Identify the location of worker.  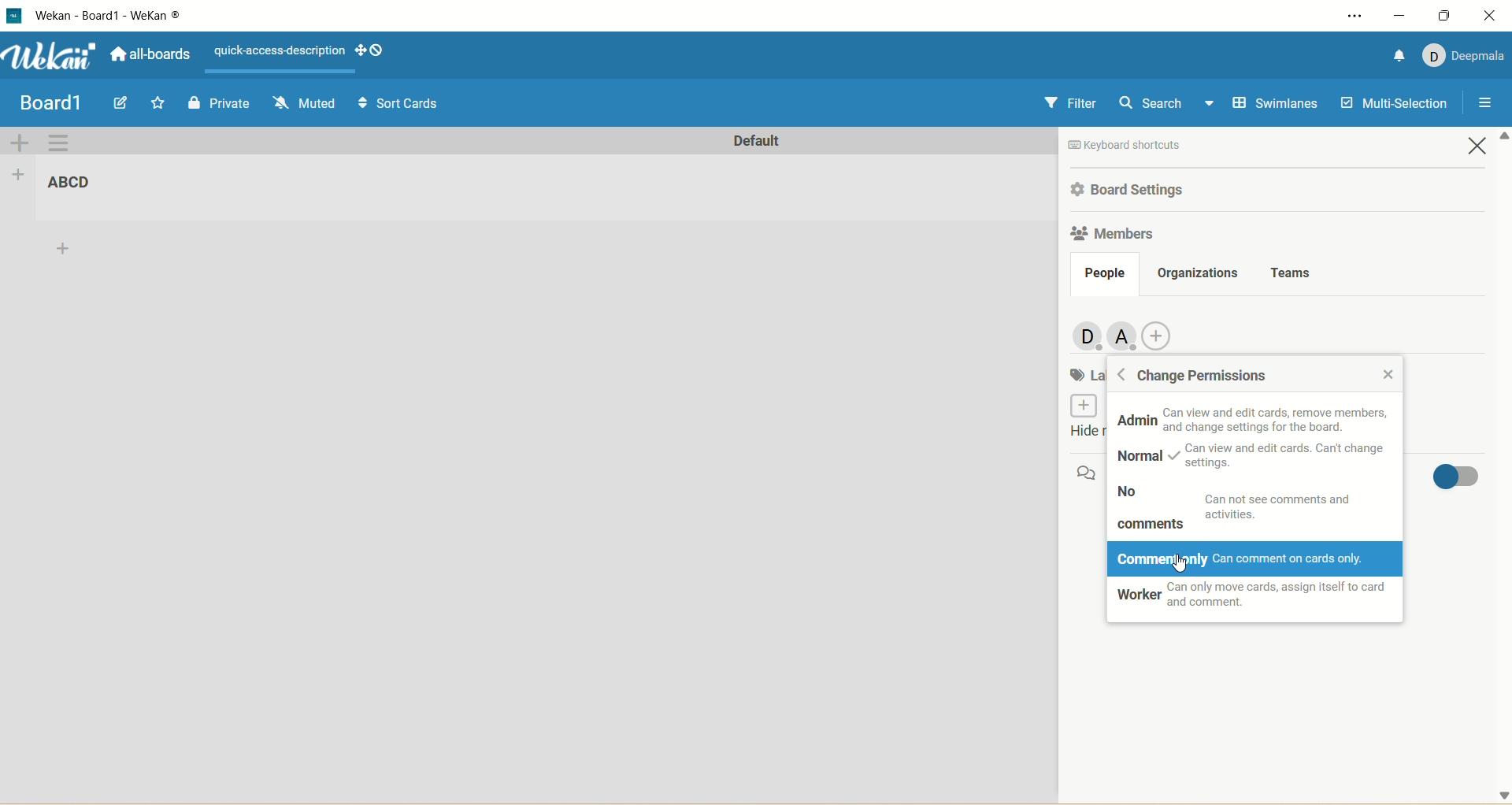
(1258, 599).